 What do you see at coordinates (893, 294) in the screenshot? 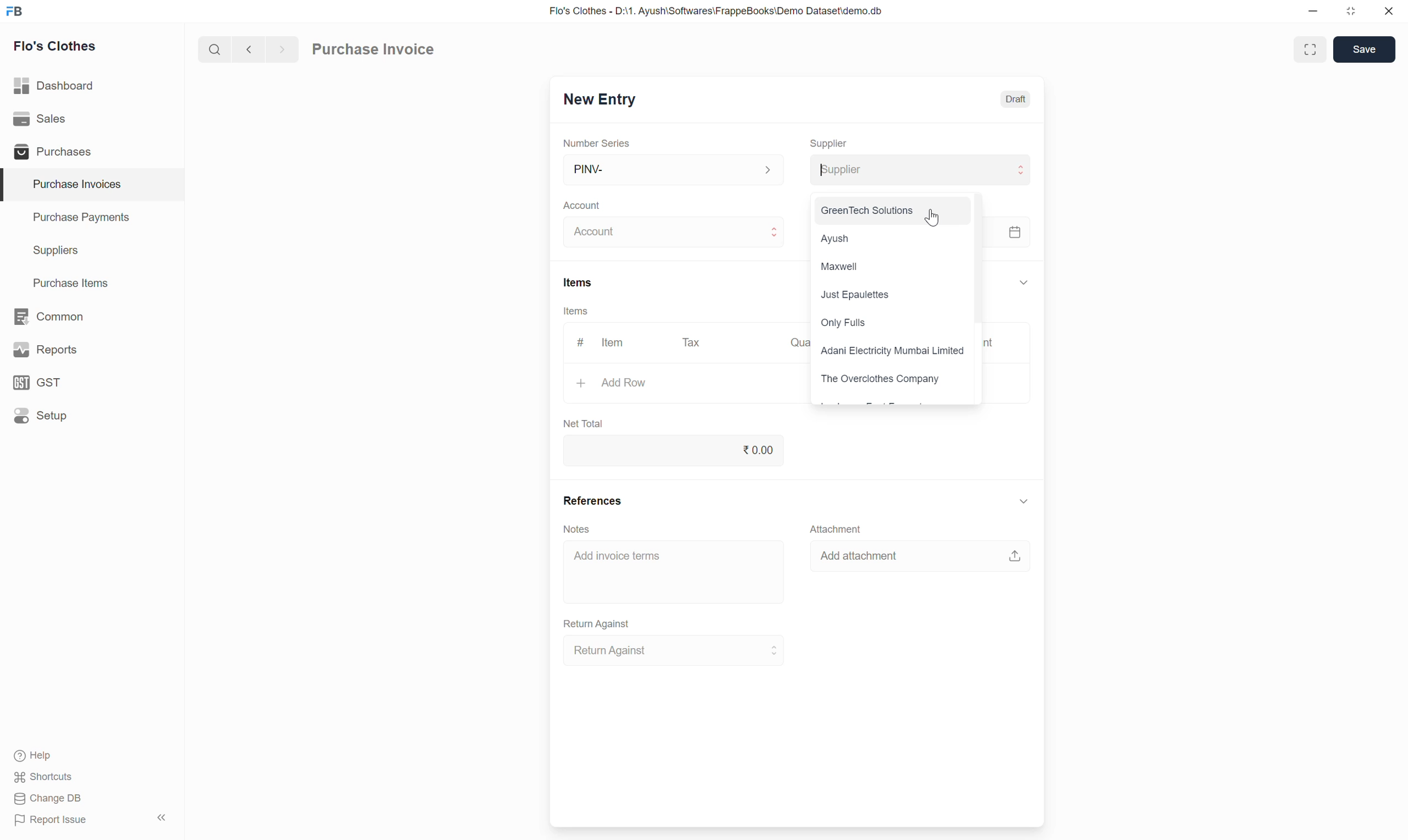
I see `Just Epaulettes` at bounding box center [893, 294].